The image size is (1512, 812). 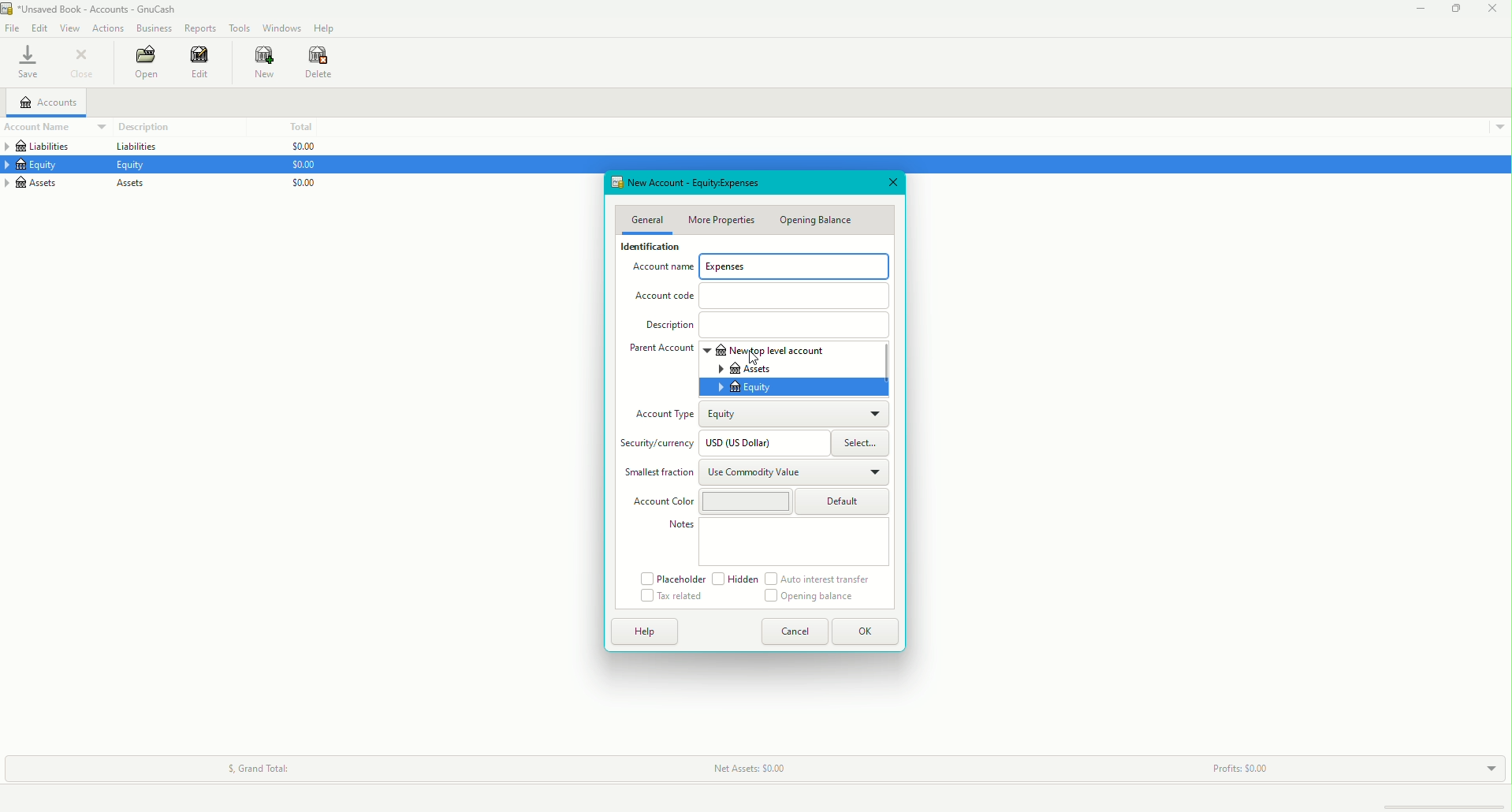 What do you see at coordinates (777, 542) in the screenshot?
I see `Notes` at bounding box center [777, 542].